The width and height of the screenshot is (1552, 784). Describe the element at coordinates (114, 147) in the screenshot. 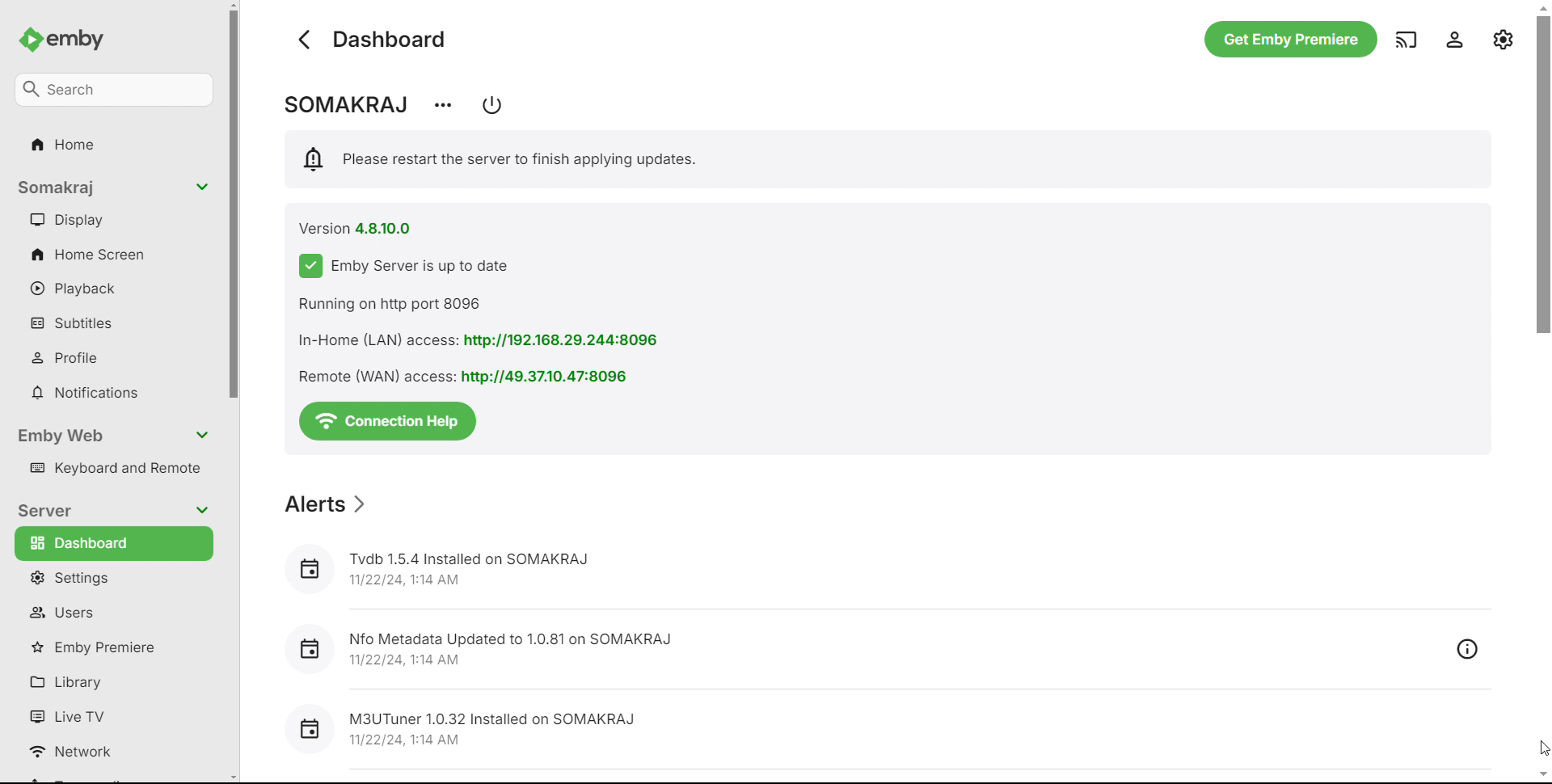

I see `home` at that location.